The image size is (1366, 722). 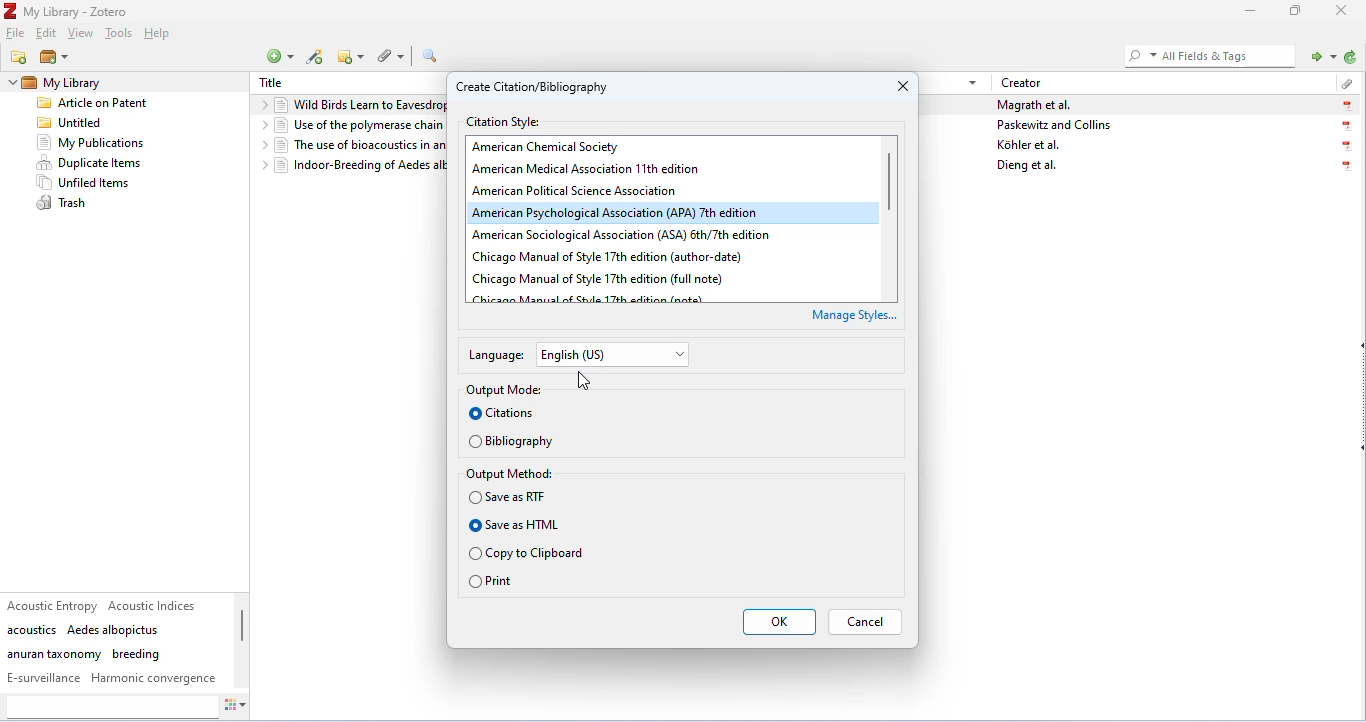 What do you see at coordinates (1345, 126) in the screenshot?
I see `pdf` at bounding box center [1345, 126].